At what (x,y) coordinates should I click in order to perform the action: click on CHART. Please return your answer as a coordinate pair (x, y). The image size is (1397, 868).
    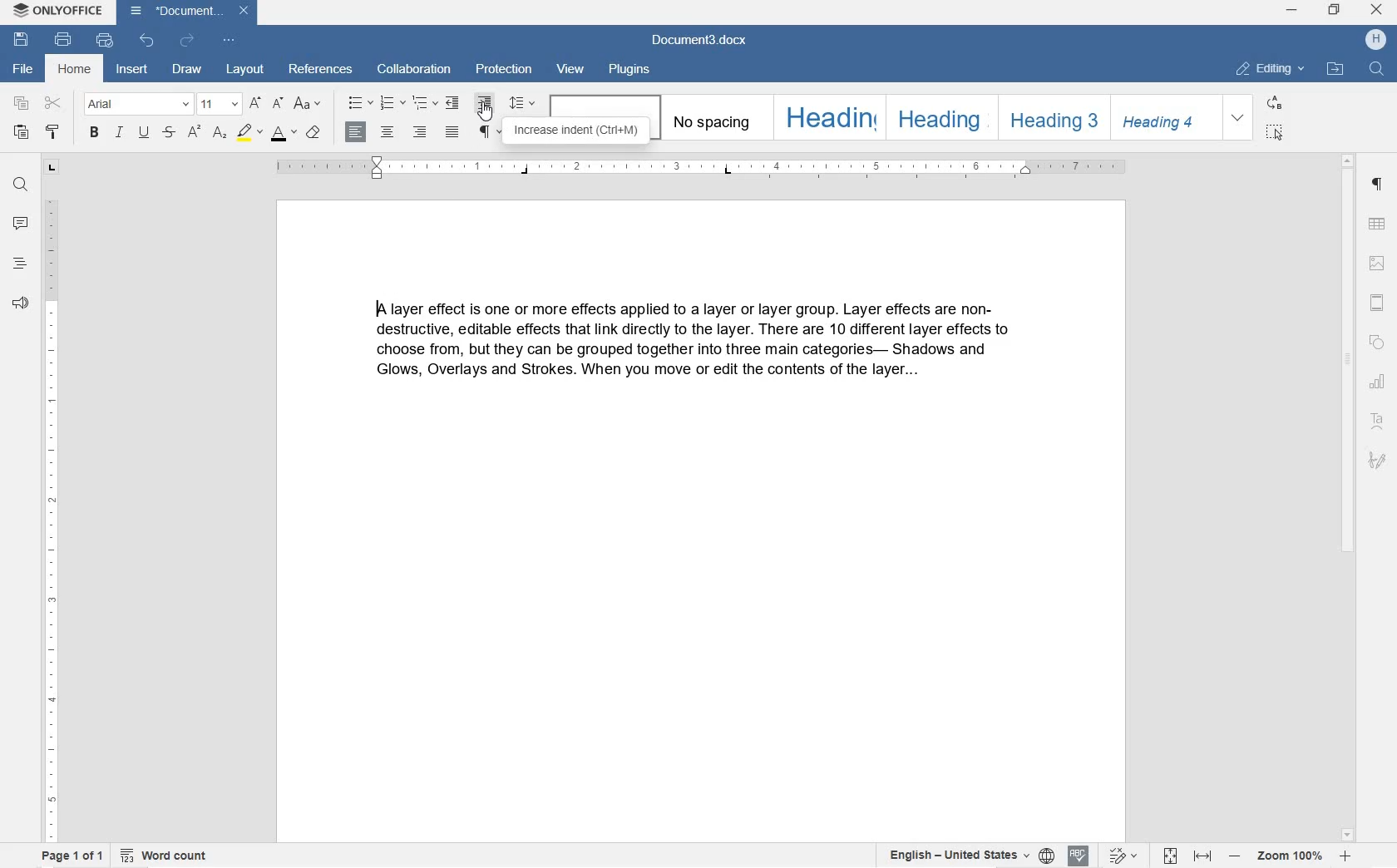
    Looking at the image, I should click on (1380, 381).